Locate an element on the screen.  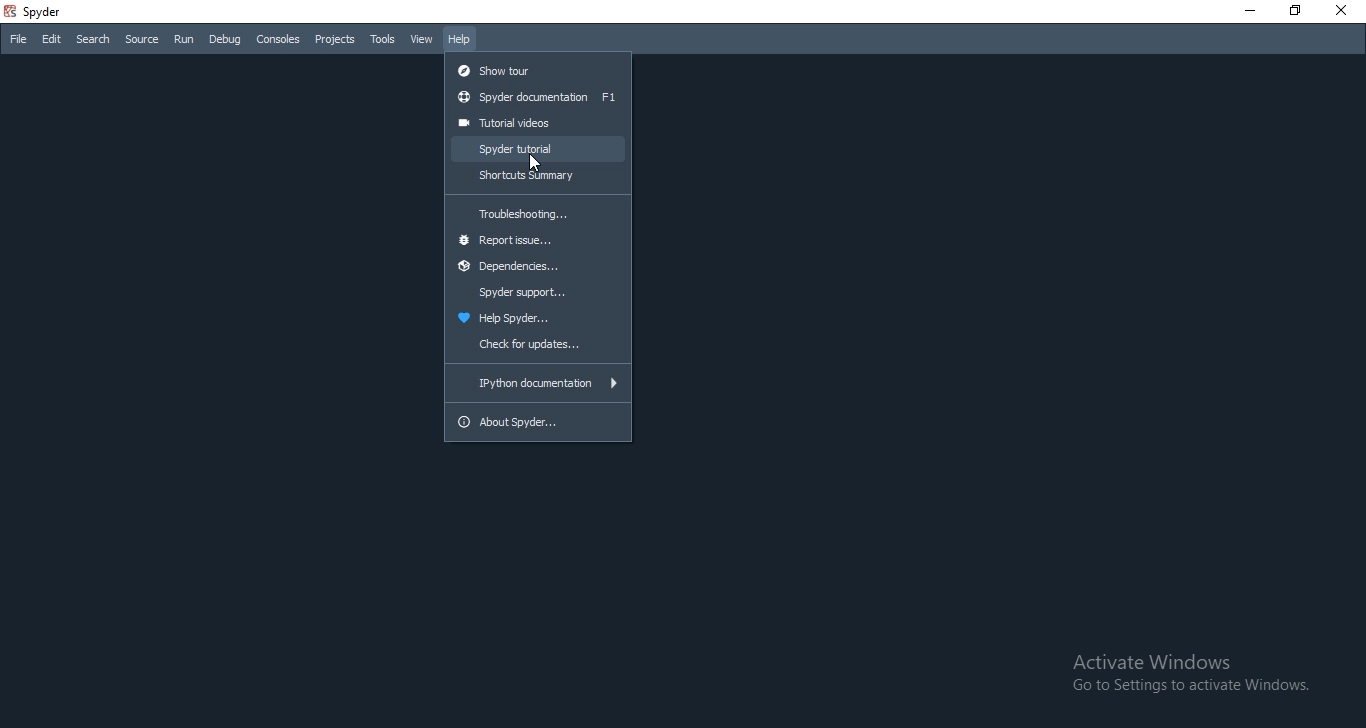
tutorial videos is located at coordinates (538, 123).